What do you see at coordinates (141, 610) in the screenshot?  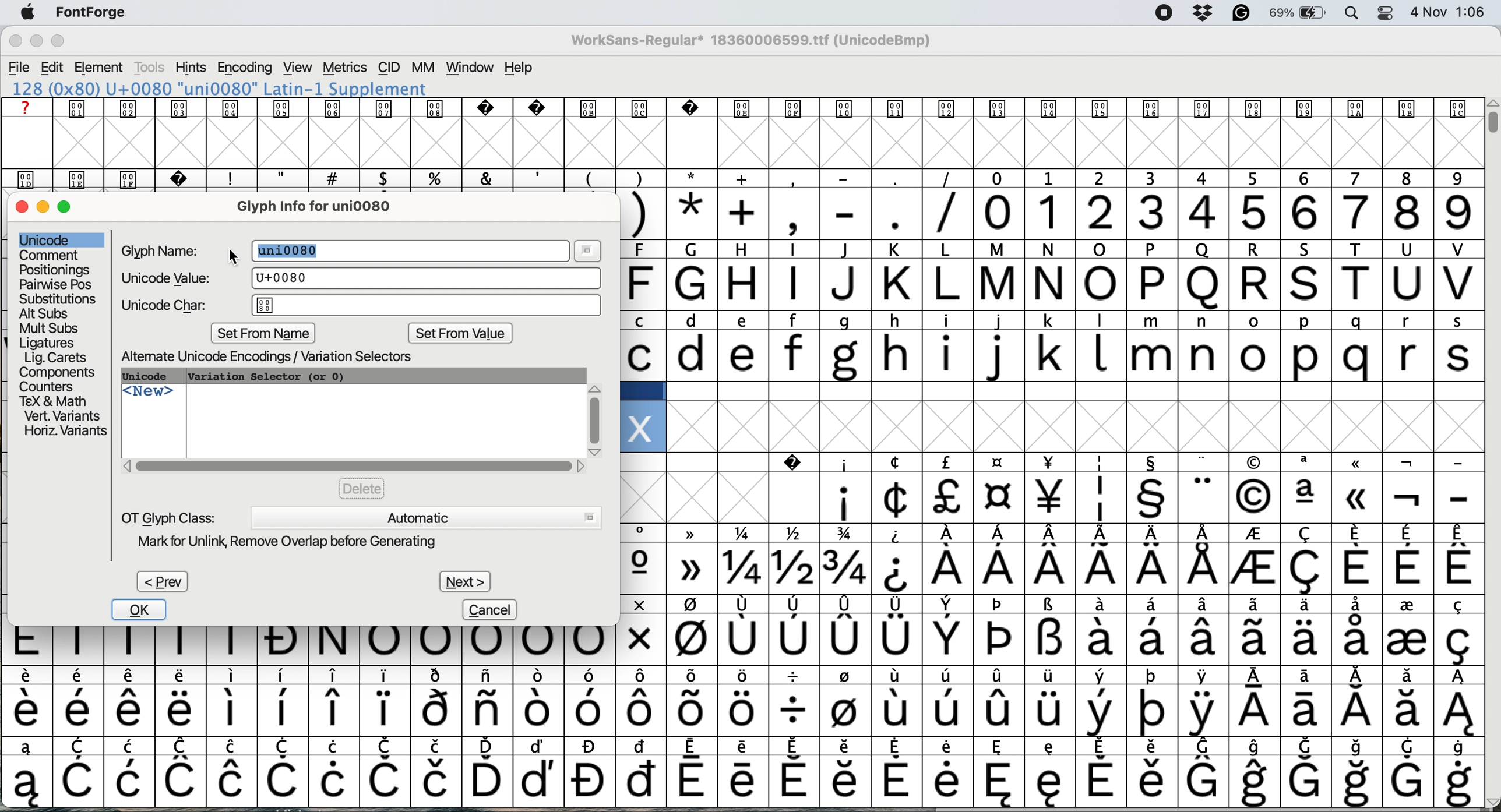 I see `ok` at bounding box center [141, 610].